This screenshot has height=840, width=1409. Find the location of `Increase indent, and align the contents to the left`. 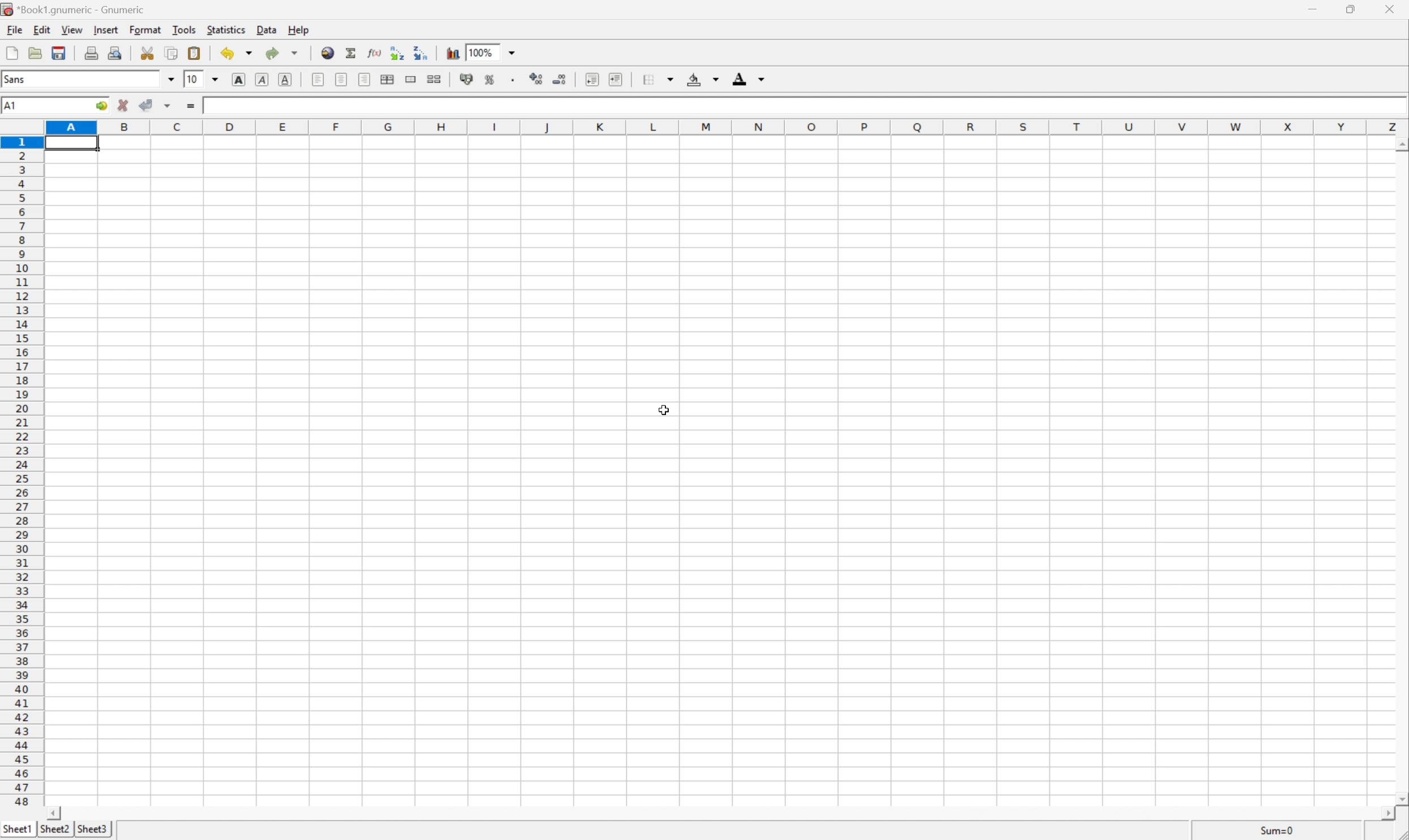

Increase indent, and align the contents to the left is located at coordinates (616, 79).